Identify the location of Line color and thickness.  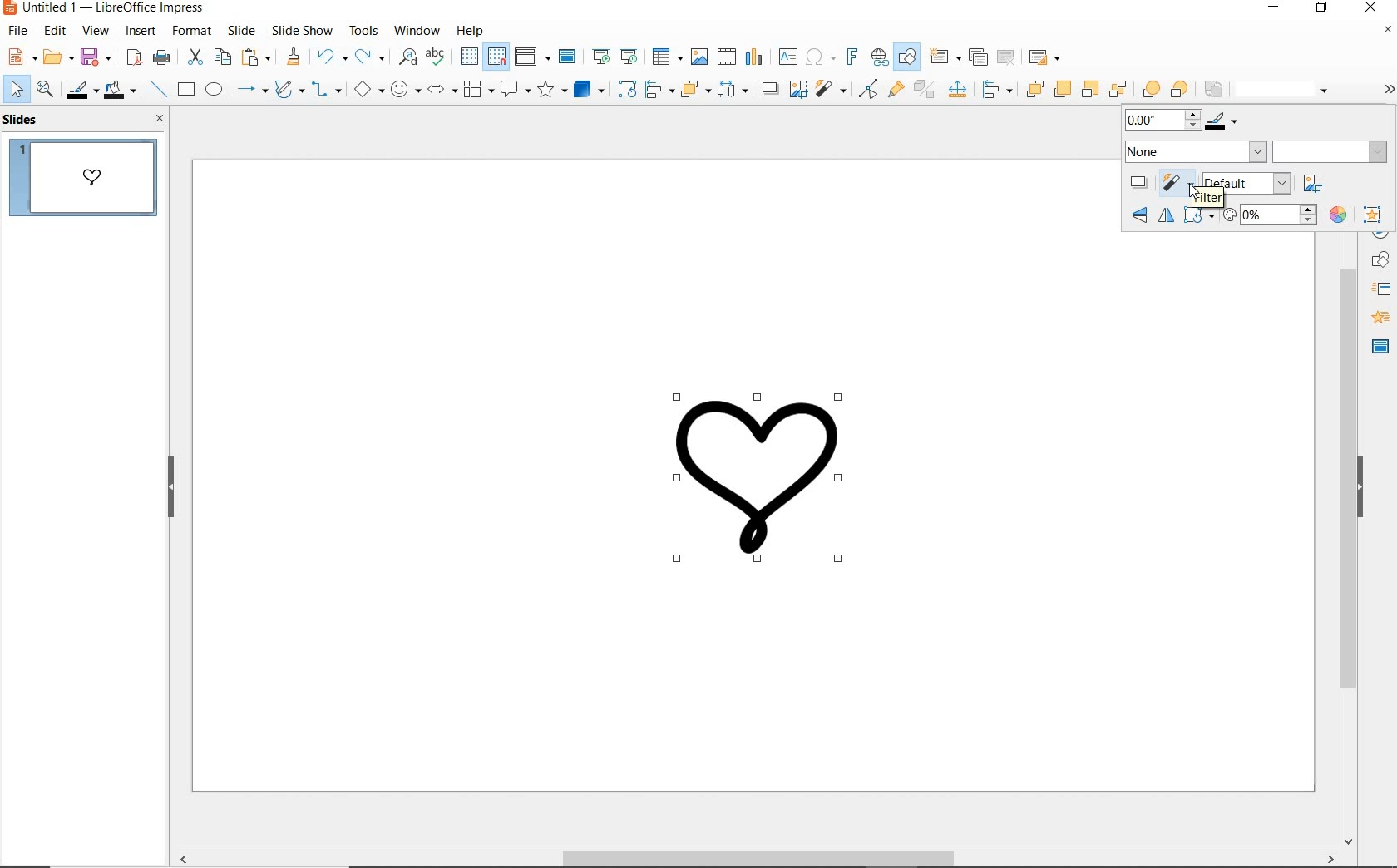
(1188, 119).